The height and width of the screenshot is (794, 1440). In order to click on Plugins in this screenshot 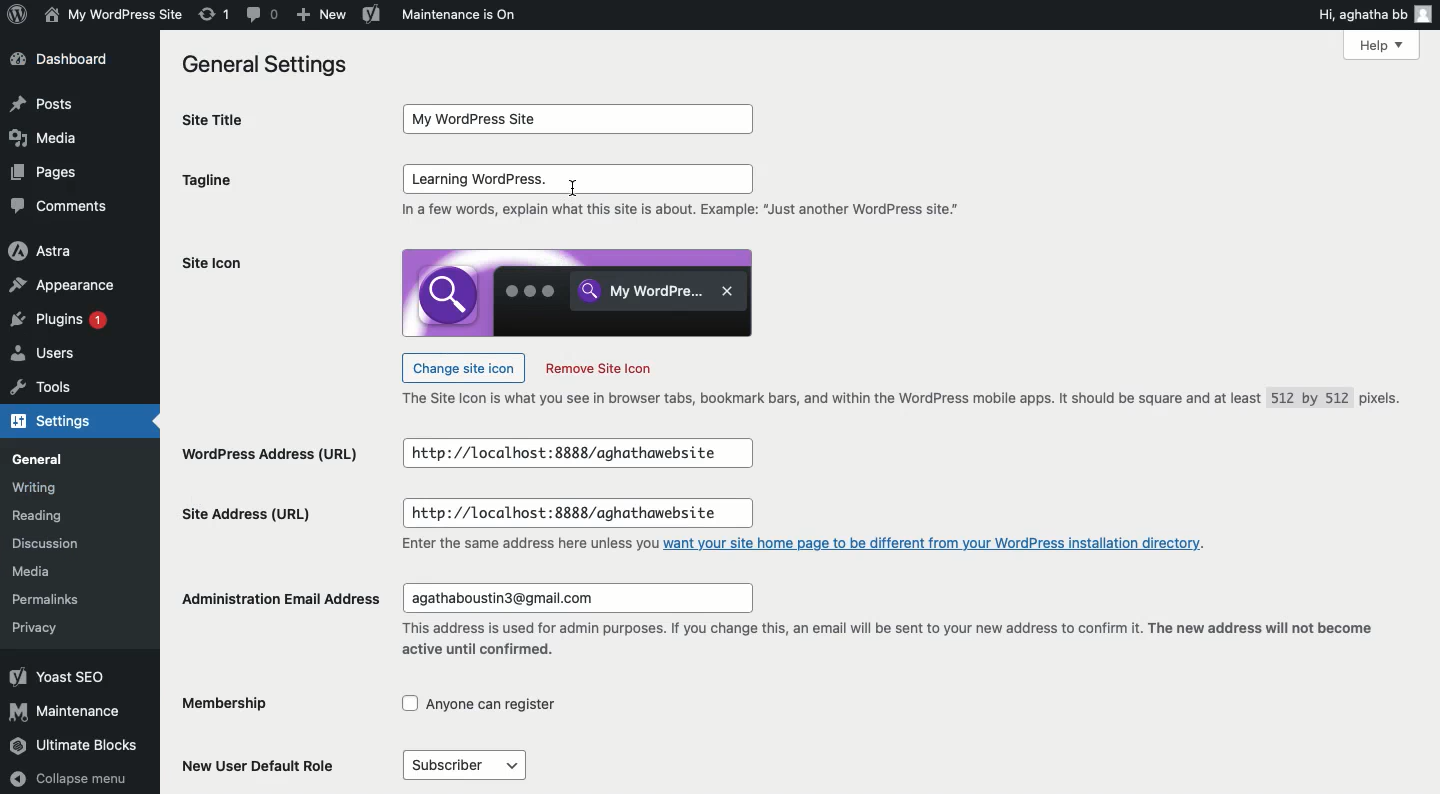, I will do `click(63, 322)`.